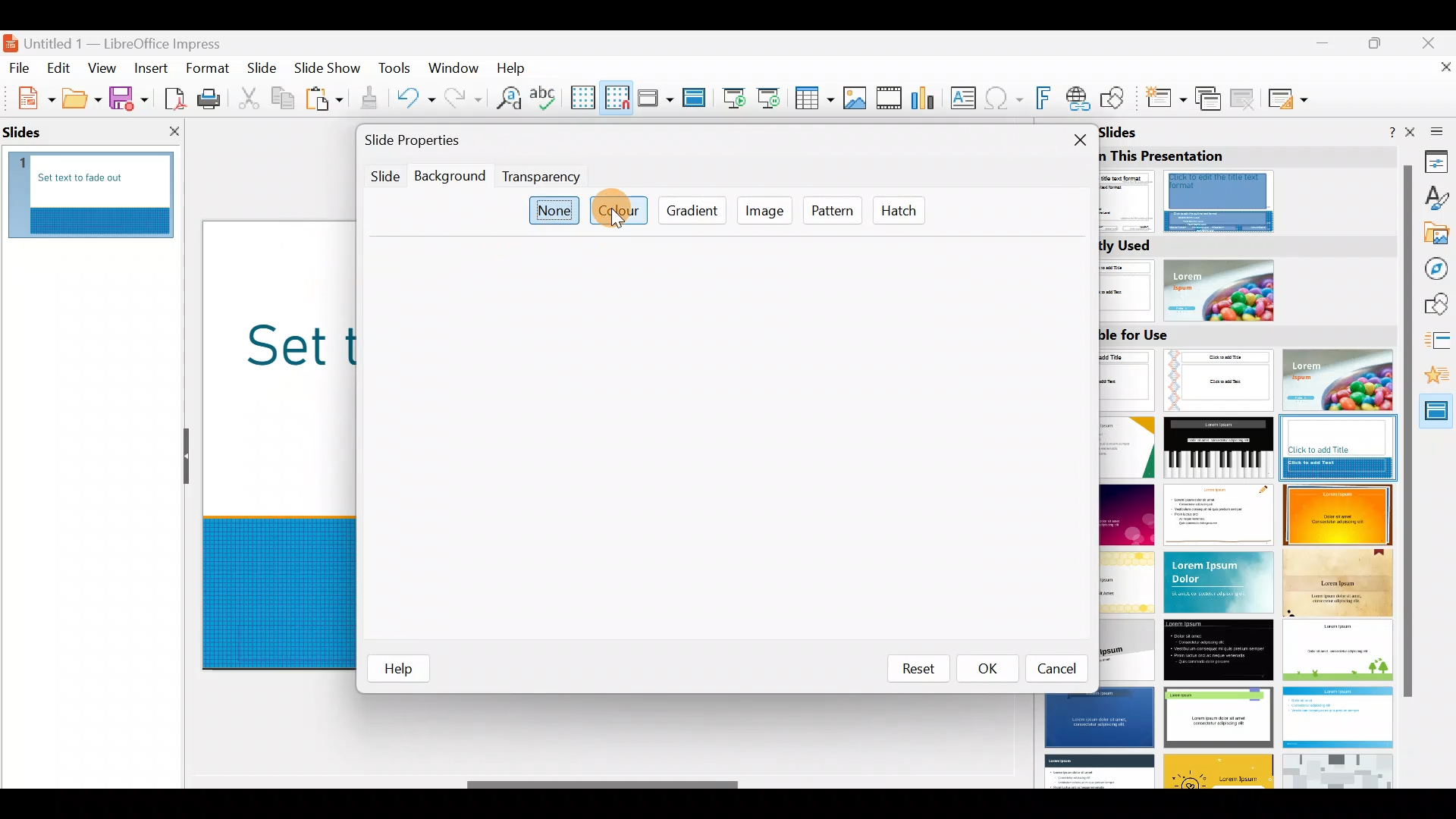  Describe the element at coordinates (604, 785) in the screenshot. I see `Scroll bar` at that location.